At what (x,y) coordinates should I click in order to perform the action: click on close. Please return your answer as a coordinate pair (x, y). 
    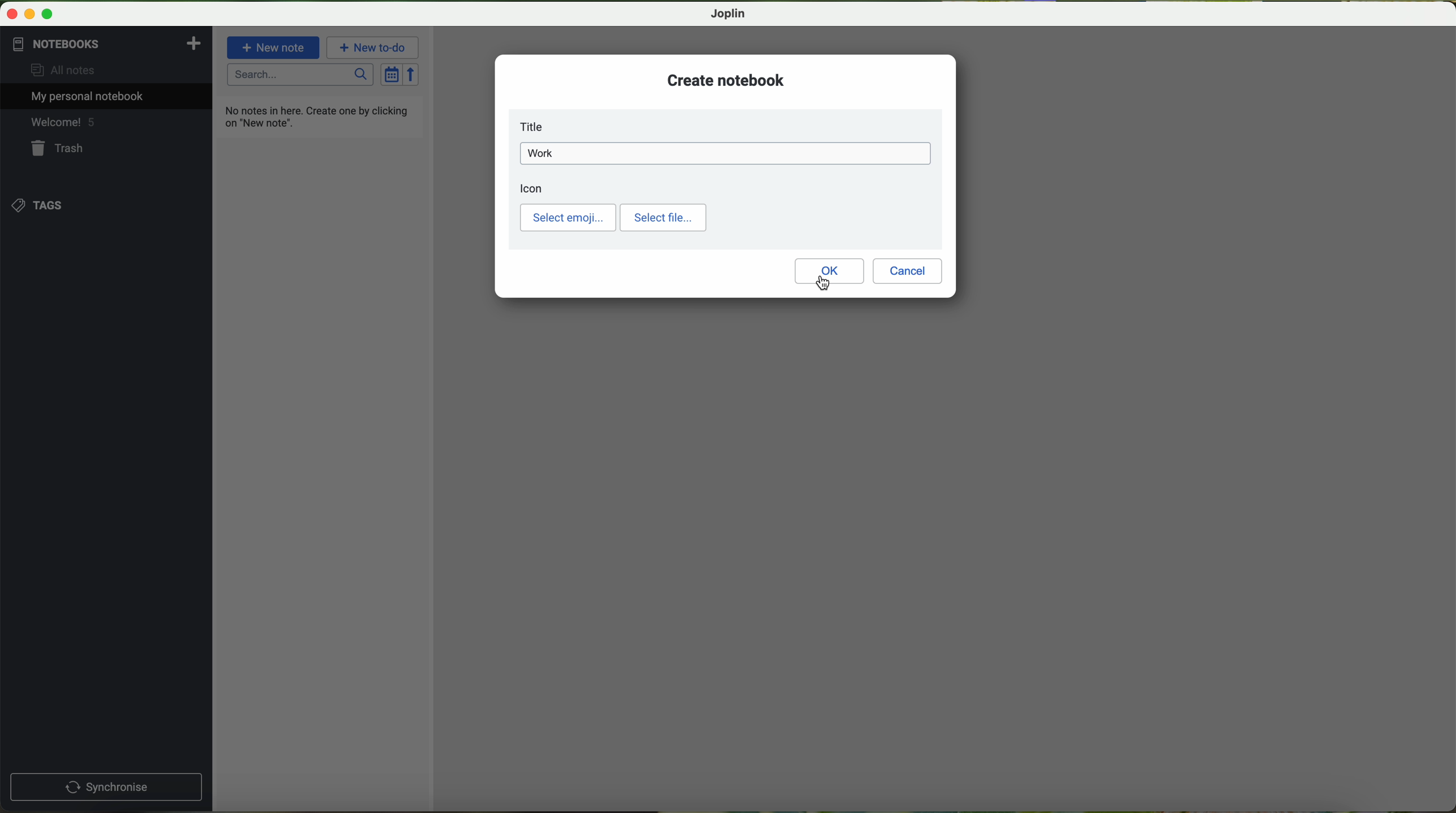
    Looking at the image, I should click on (13, 14).